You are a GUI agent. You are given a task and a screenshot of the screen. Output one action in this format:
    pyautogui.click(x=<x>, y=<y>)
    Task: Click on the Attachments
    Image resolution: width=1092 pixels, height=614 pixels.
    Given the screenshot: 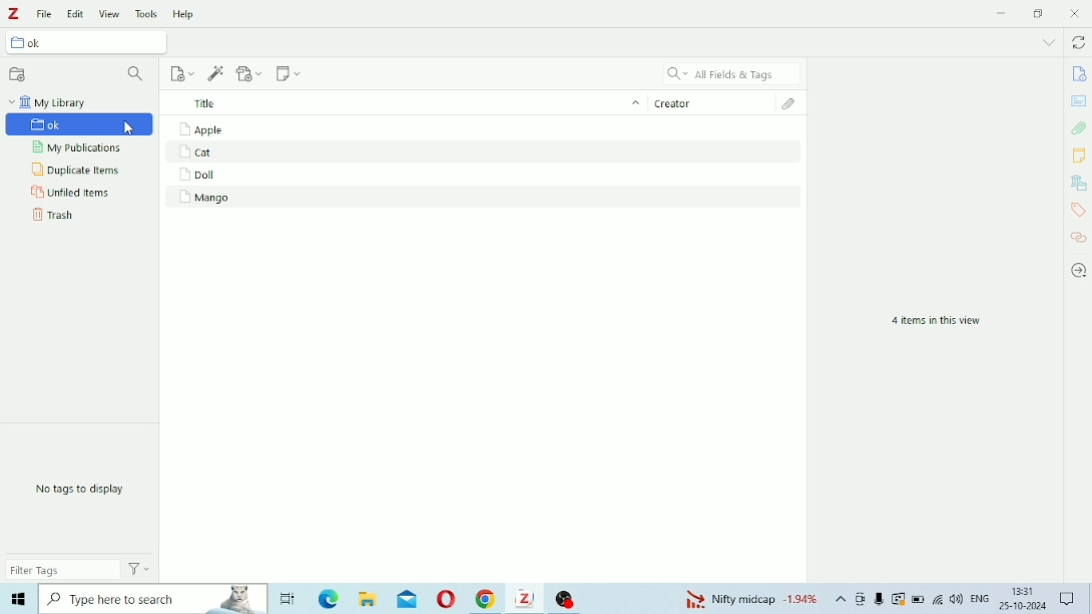 What is the action you would take?
    pyautogui.click(x=1079, y=128)
    